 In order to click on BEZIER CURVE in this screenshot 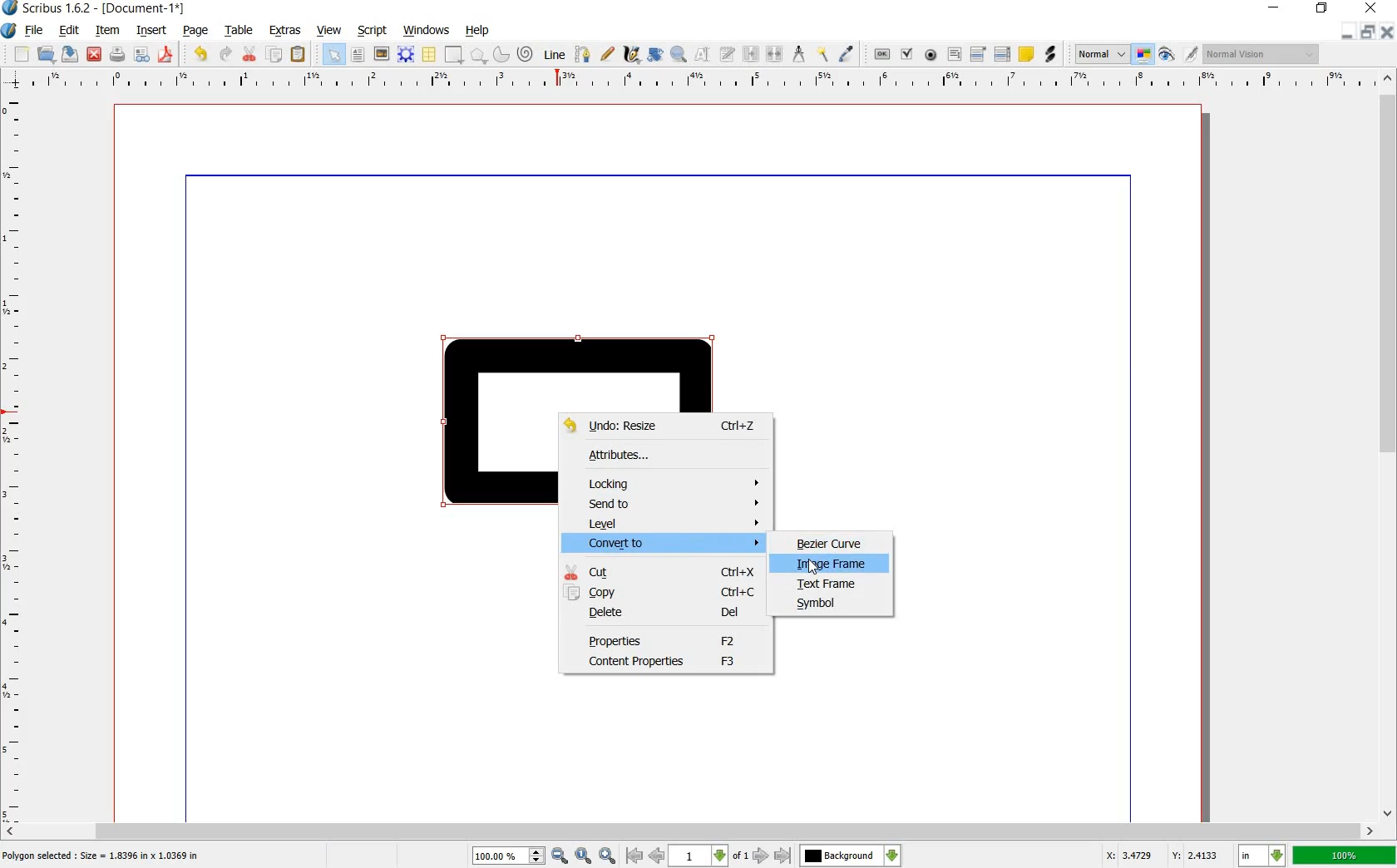, I will do `click(833, 543)`.